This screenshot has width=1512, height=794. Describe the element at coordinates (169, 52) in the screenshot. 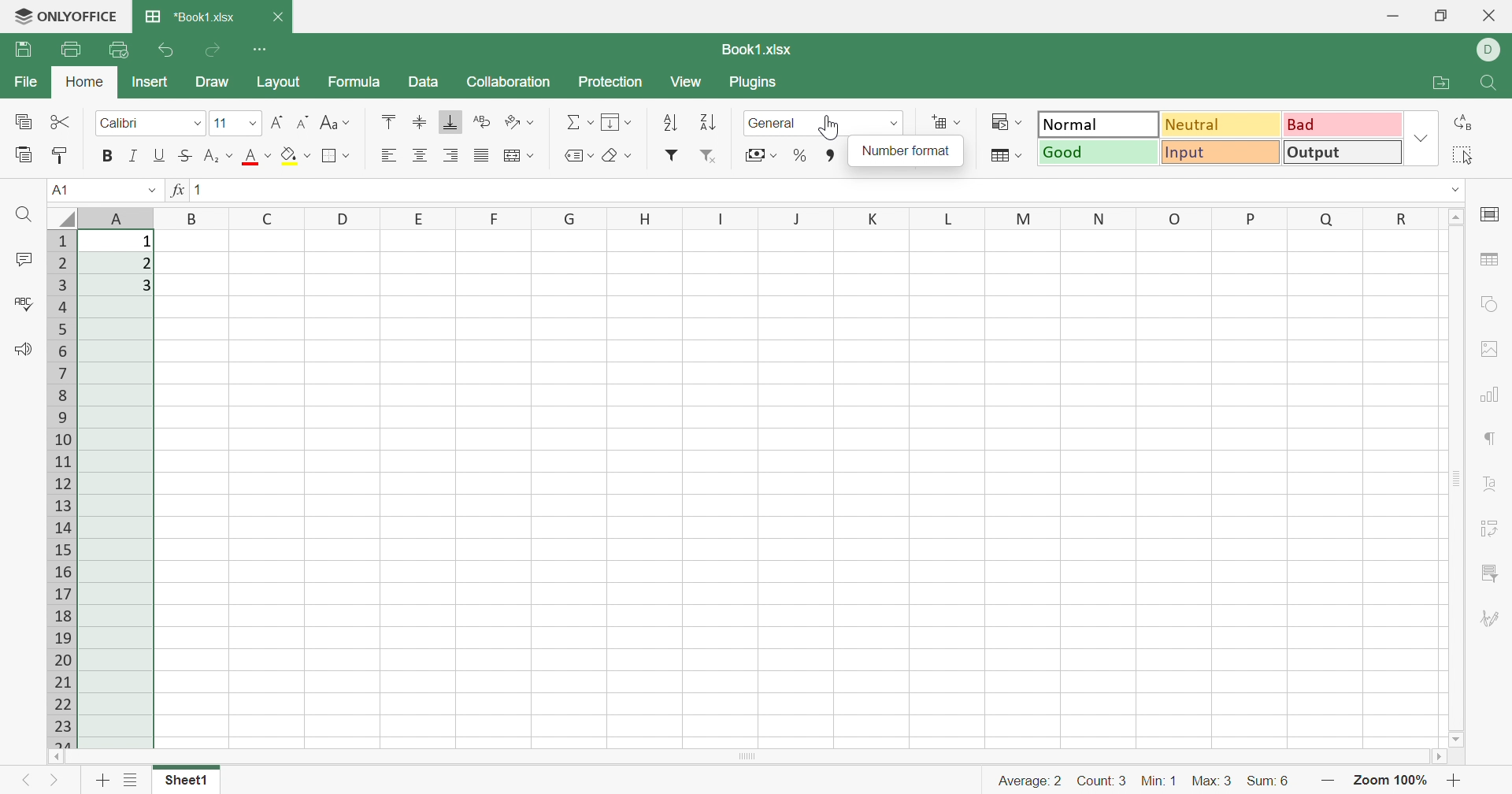

I see `Undo` at that location.